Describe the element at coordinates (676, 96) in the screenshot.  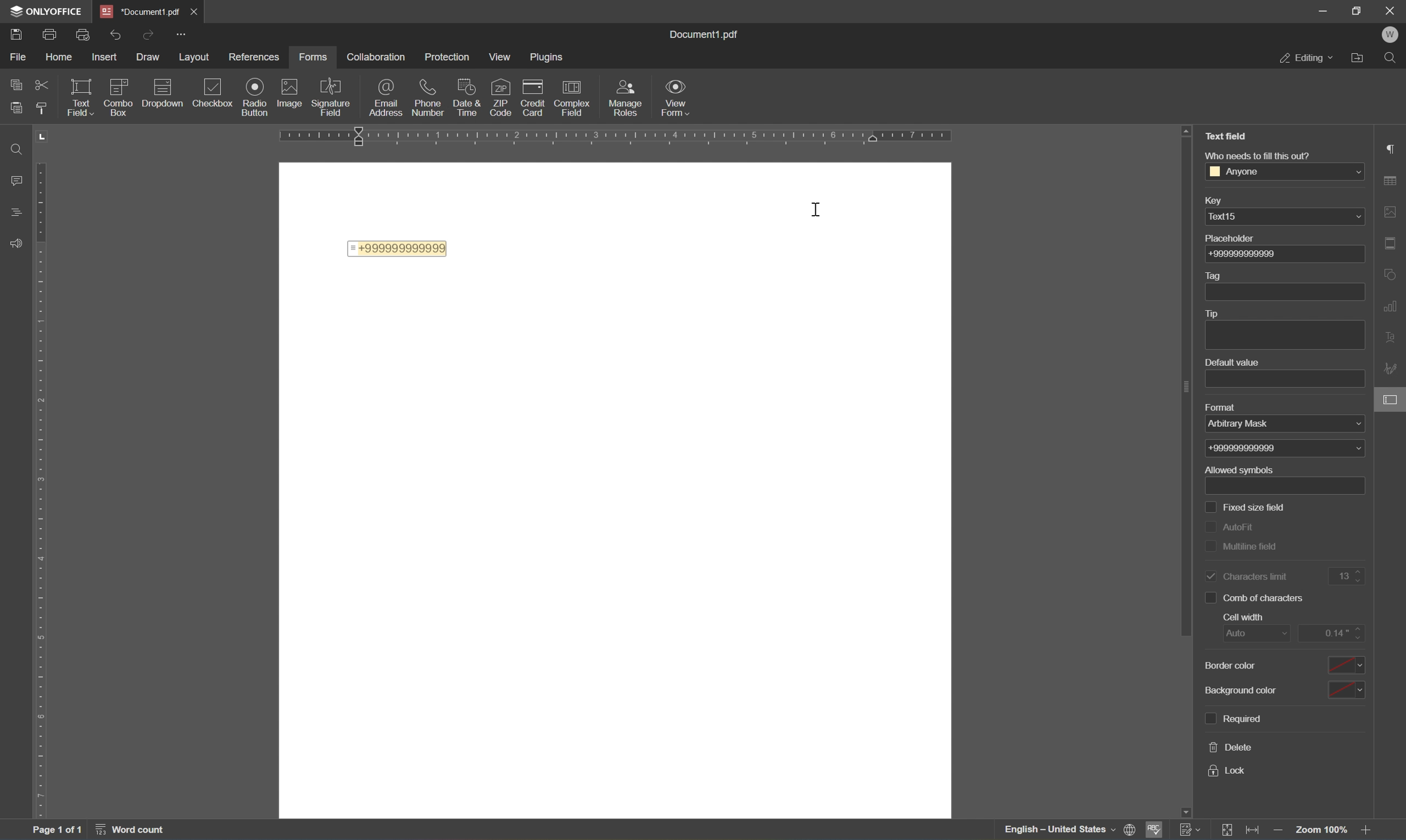
I see `view form` at that location.